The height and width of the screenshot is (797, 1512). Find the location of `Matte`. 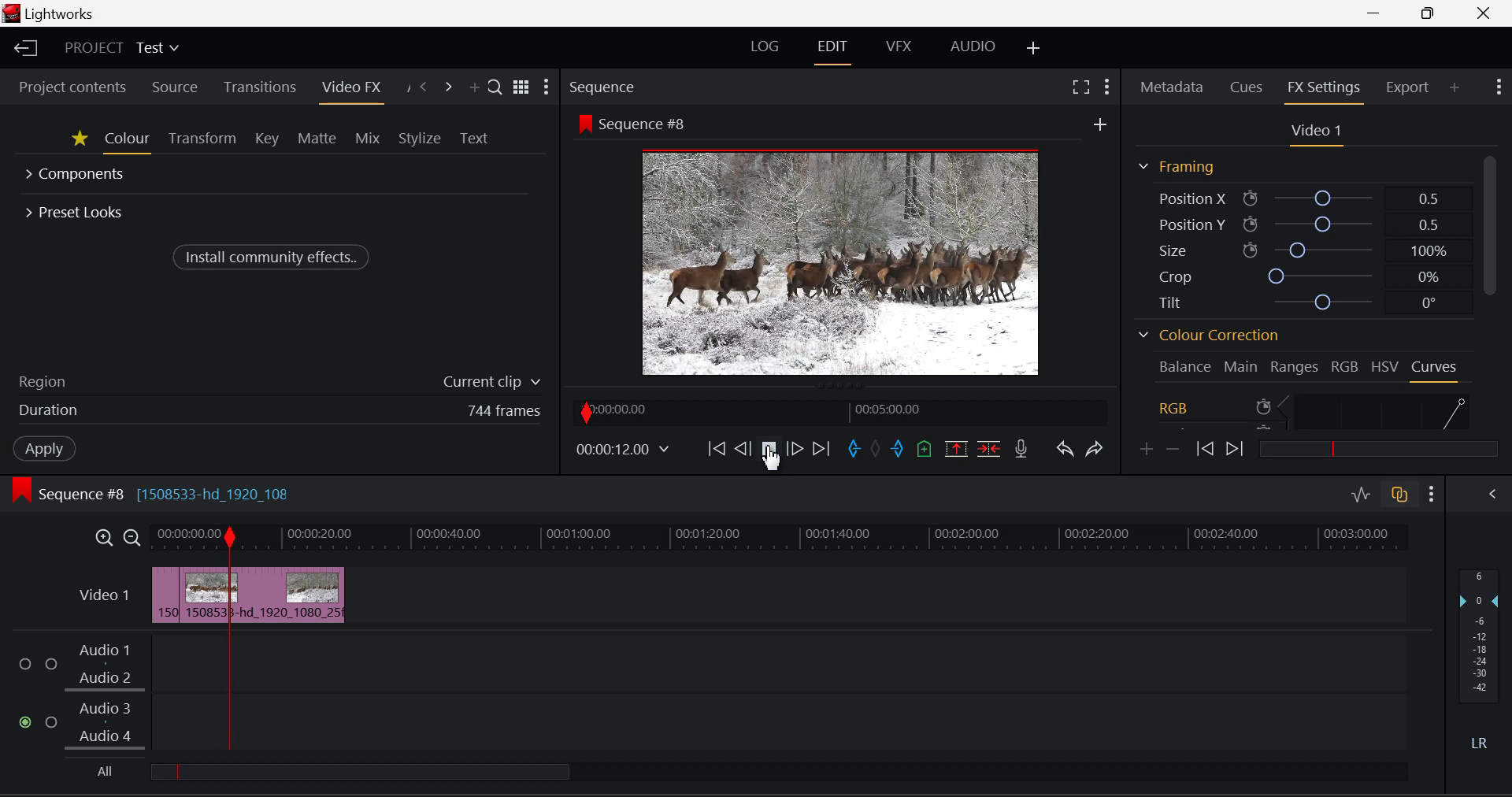

Matte is located at coordinates (317, 140).